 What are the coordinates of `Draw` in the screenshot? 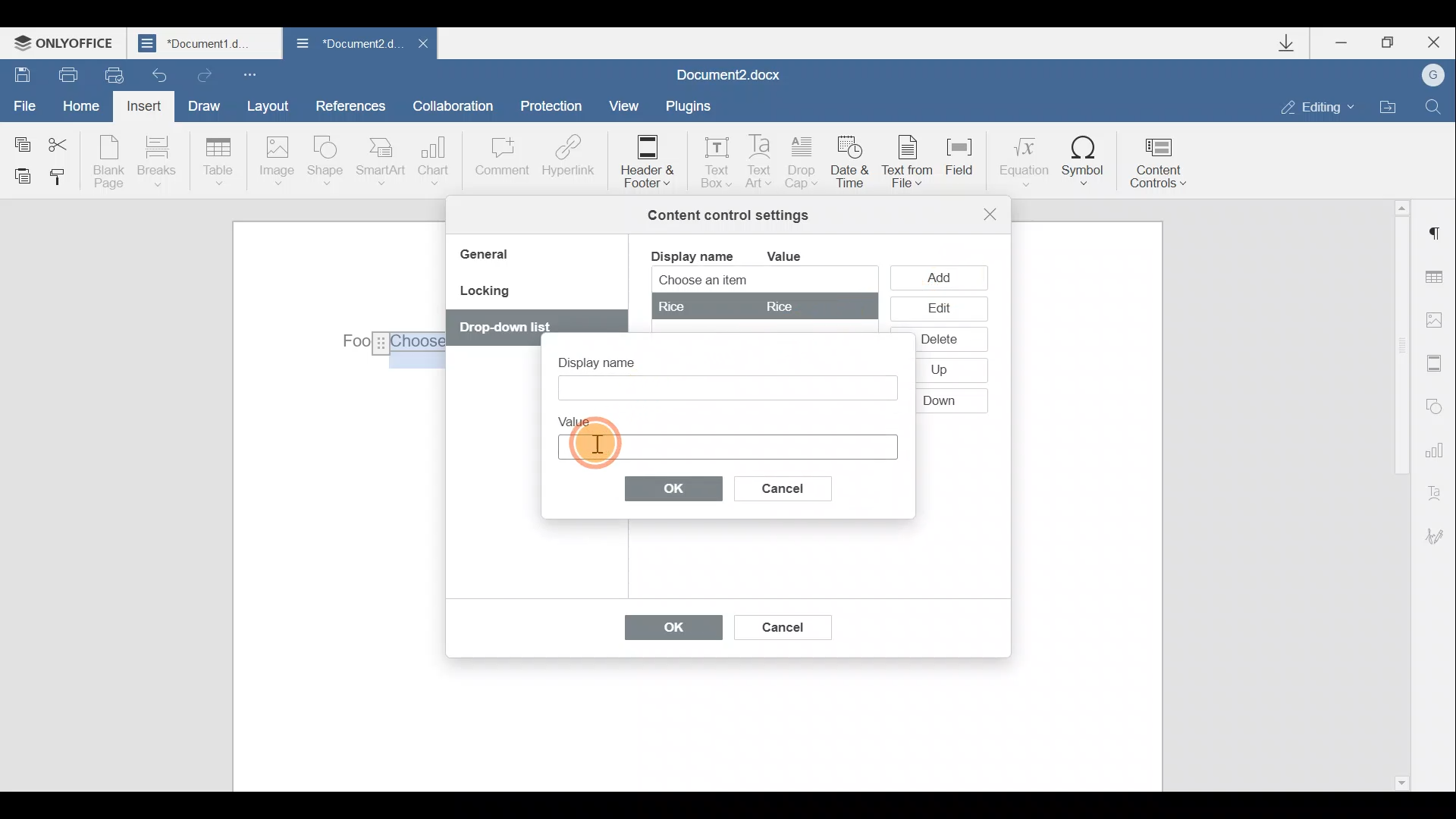 It's located at (202, 104).